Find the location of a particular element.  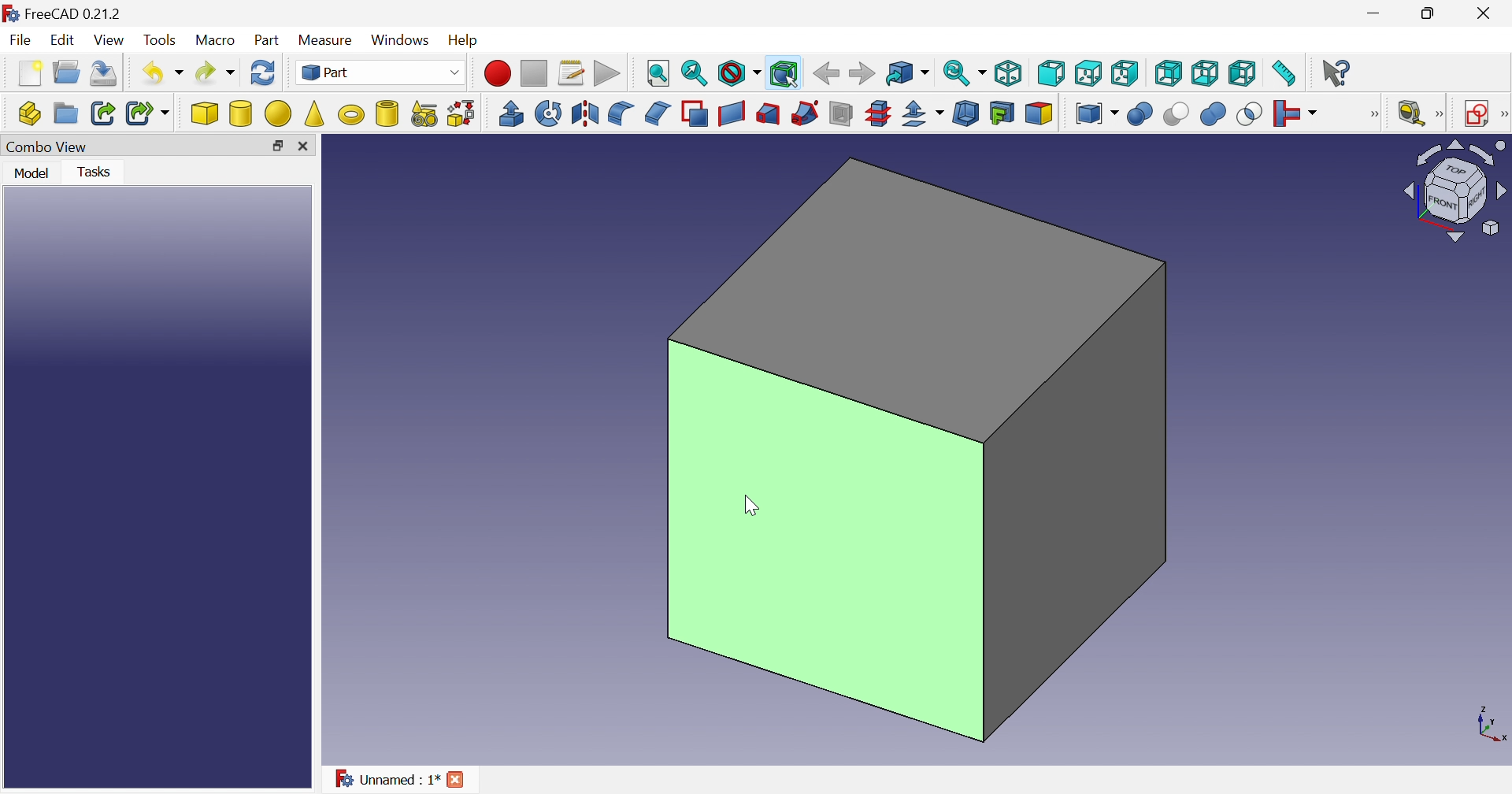

Extrude... is located at coordinates (510, 113).